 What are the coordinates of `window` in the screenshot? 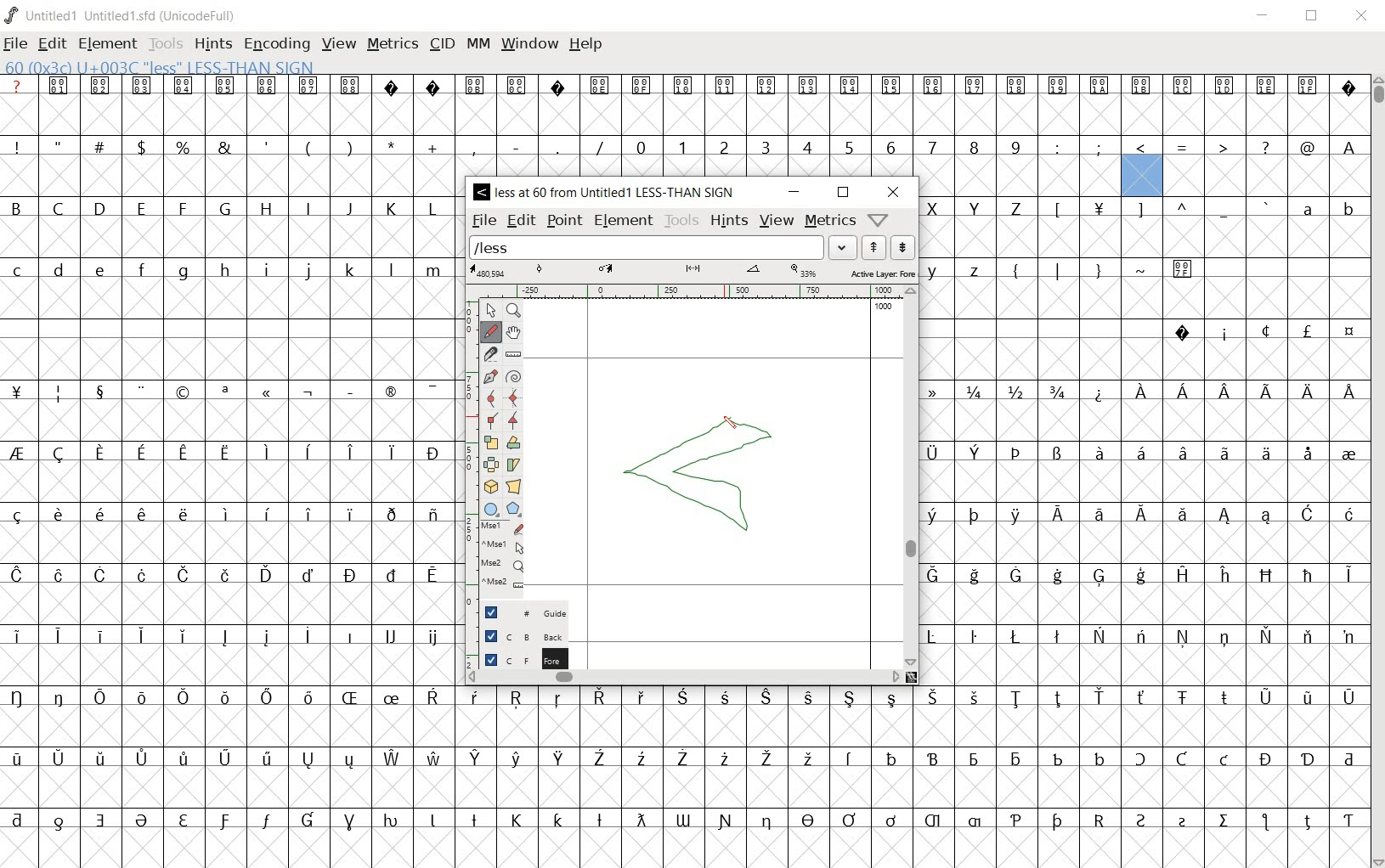 It's located at (529, 45).